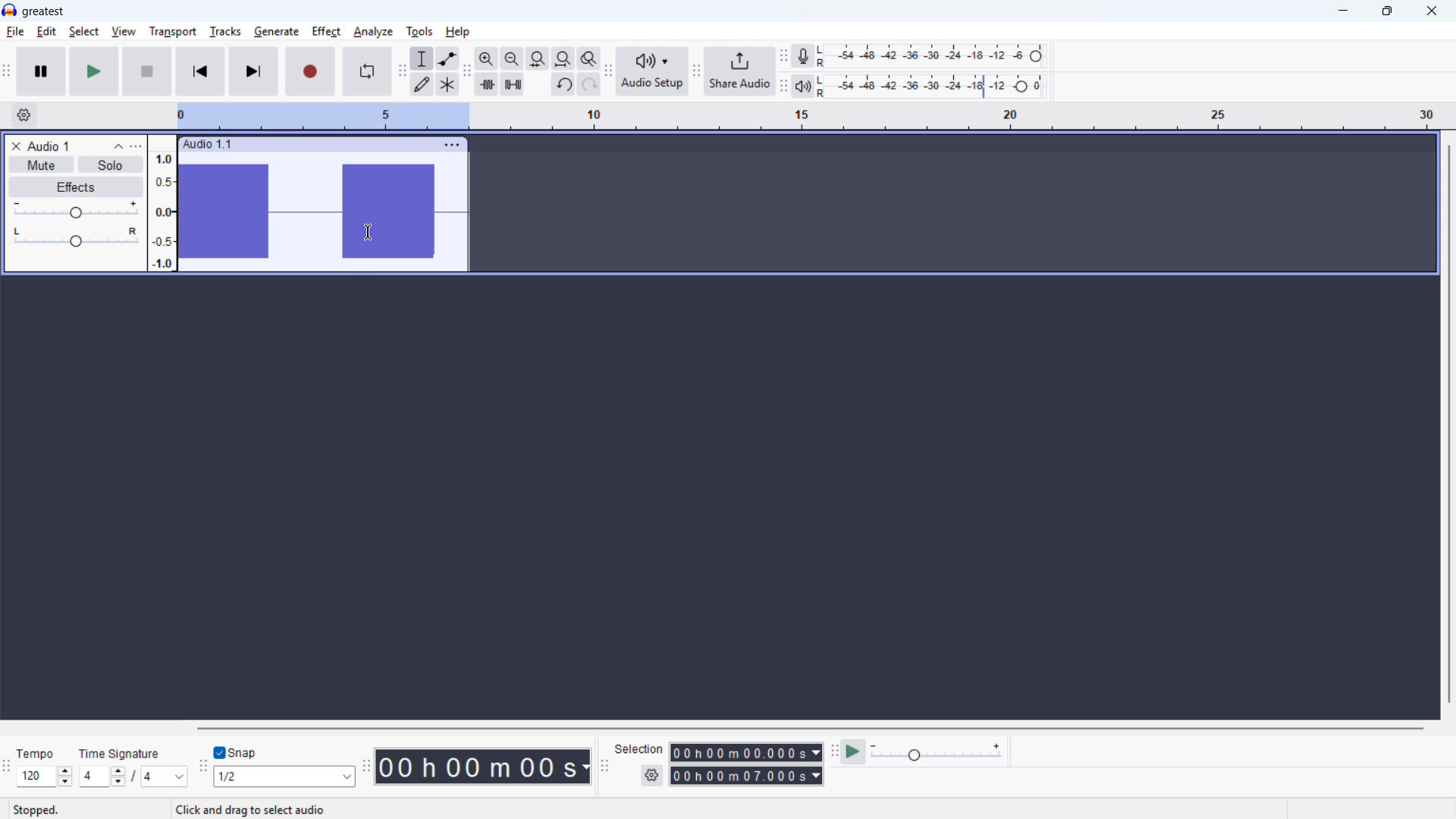  What do you see at coordinates (802, 56) in the screenshot?
I see `Recording metre ` at bounding box center [802, 56].